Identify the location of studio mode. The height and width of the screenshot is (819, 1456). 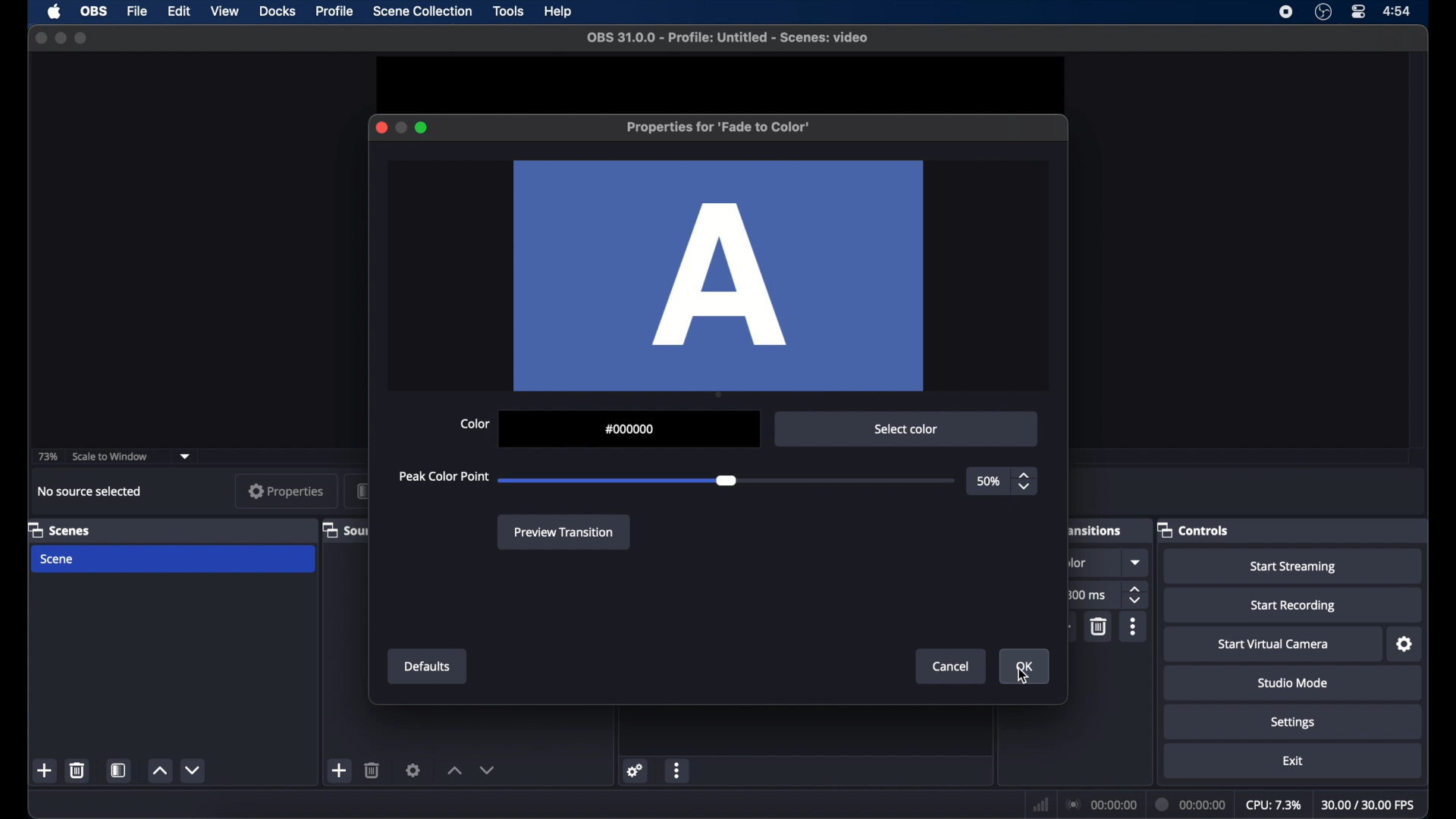
(1293, 682).